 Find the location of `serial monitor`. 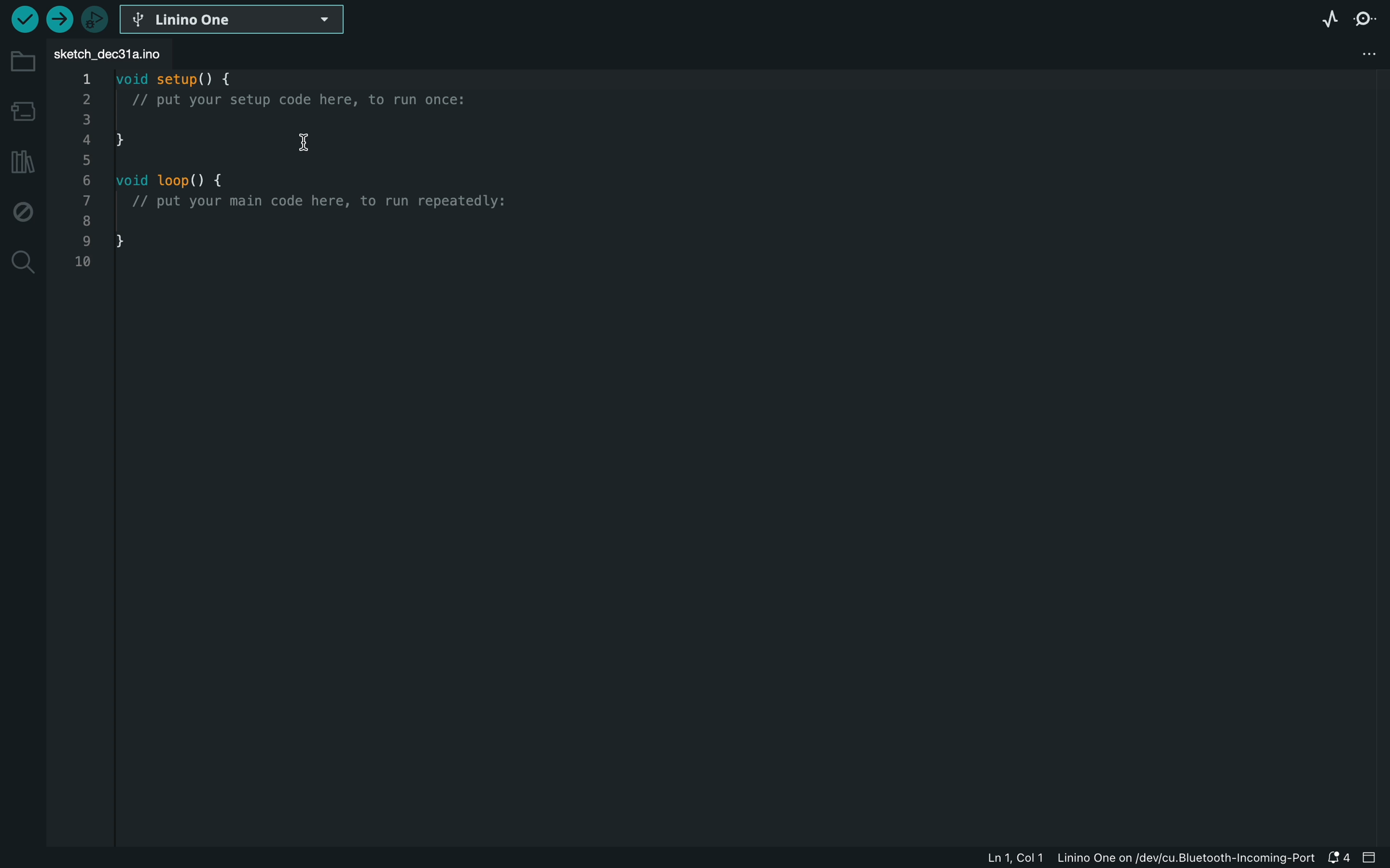

serial monitor is located at coordinates (1372, 22).